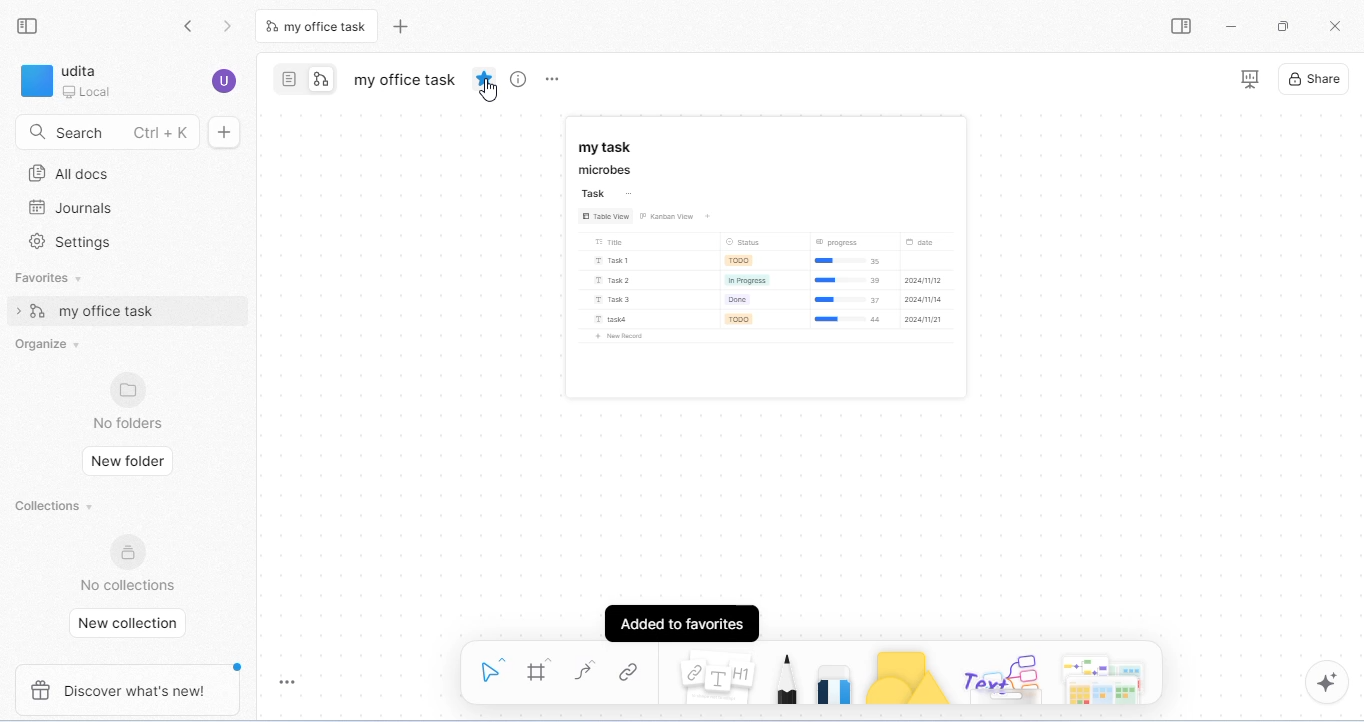  What do you see at coordinates (48, 342) in the screenshot?
I see `organize` at bounding box center [48, 342].